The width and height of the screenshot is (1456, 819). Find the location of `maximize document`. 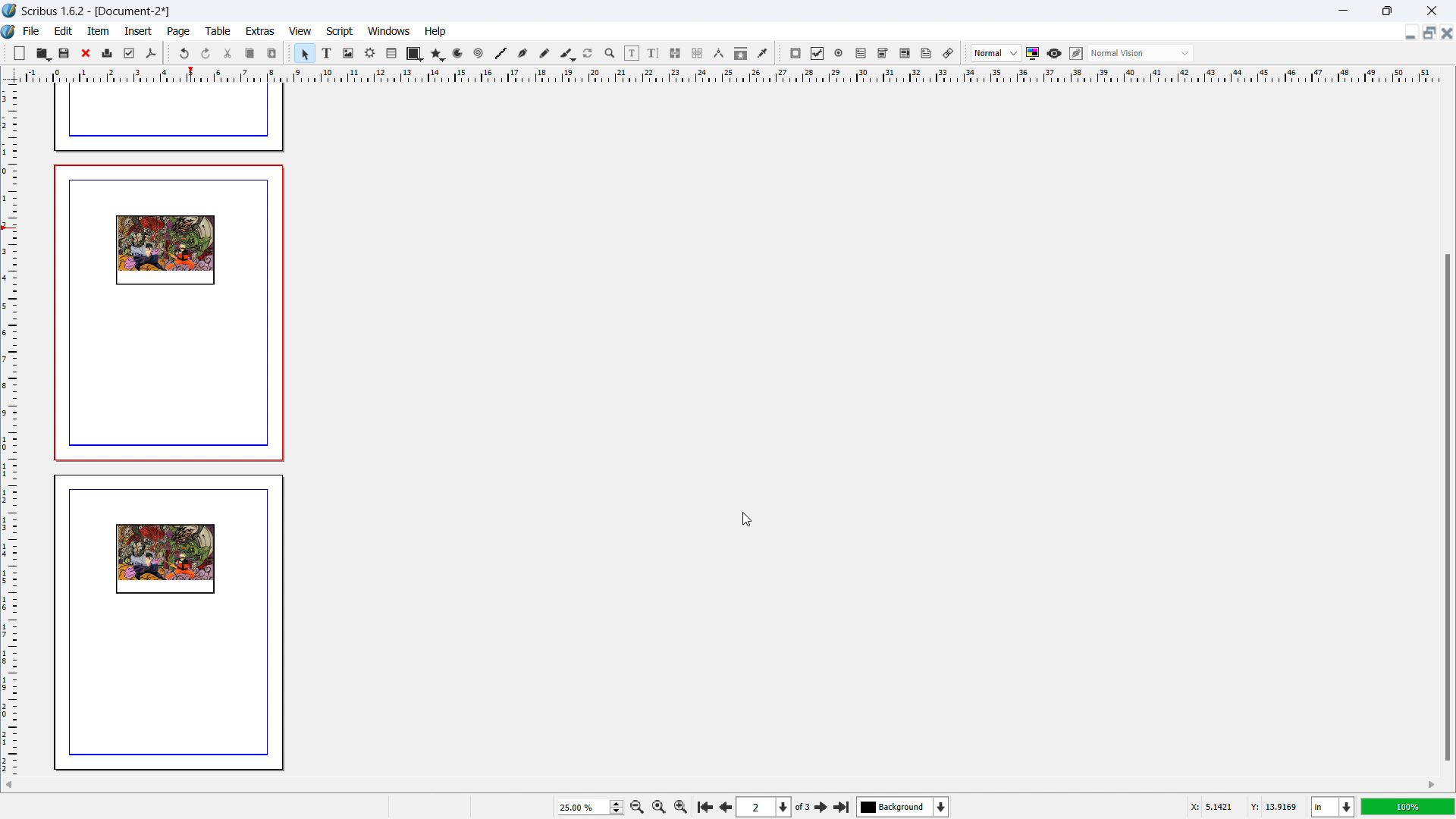

maximize document is located at coordinates (1427, 33).